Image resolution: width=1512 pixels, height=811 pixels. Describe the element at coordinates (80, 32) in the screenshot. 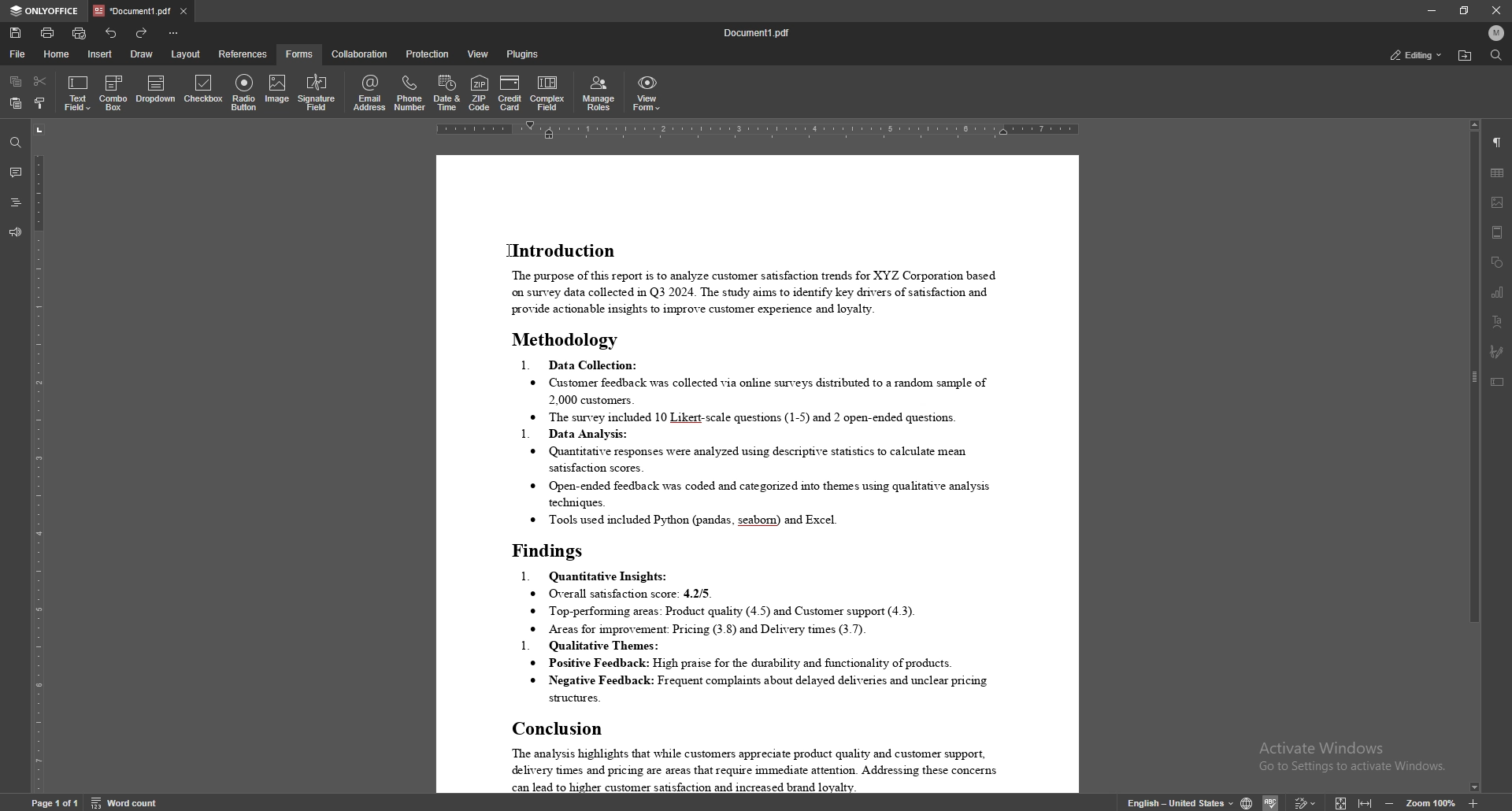

I see `quick print` at that location.